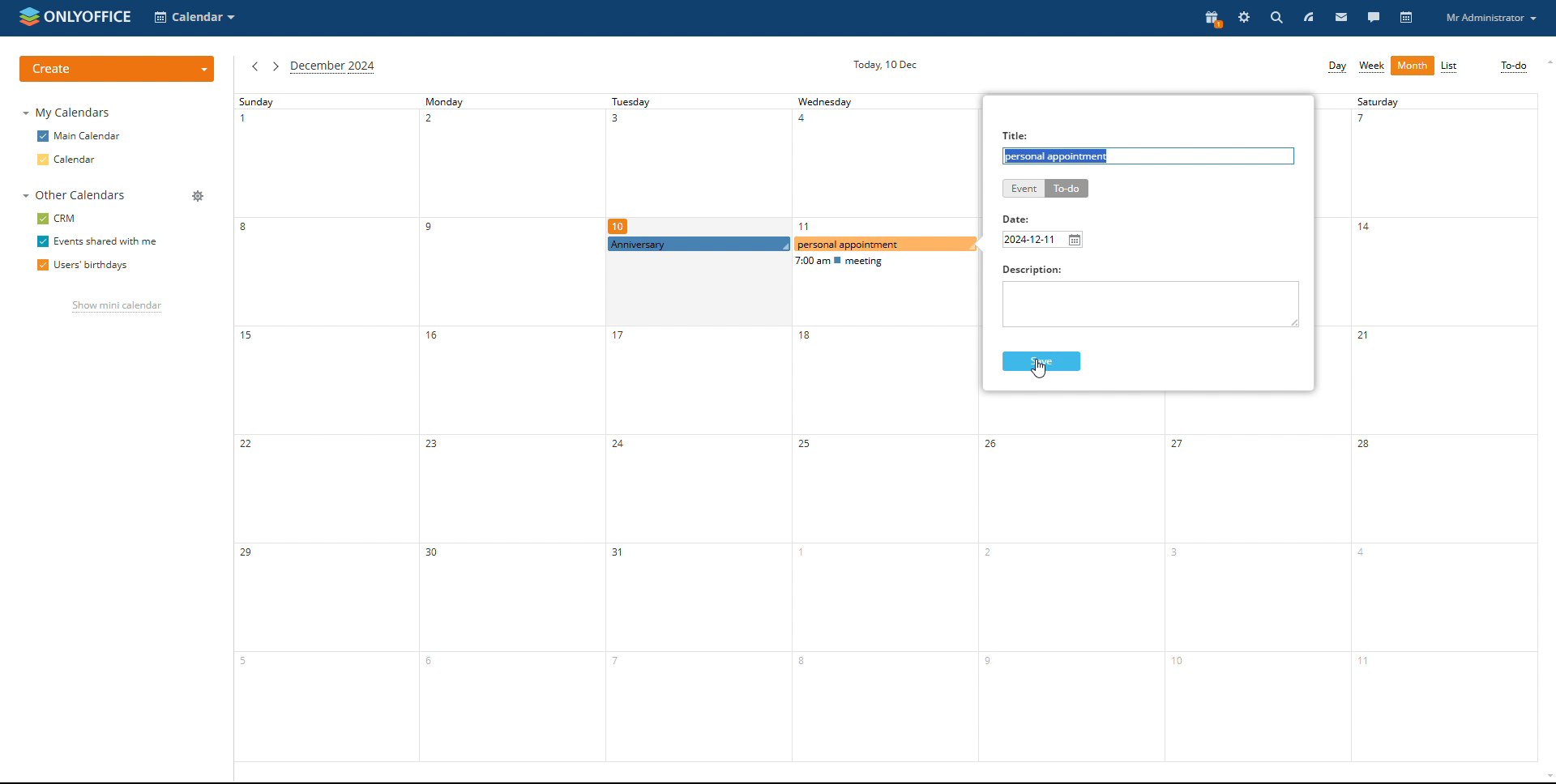 The height and width of the screenshot is (784, 1556). Describe the element at coordinates (65, 113) in the screenshot. I see `my calendars` at that location.